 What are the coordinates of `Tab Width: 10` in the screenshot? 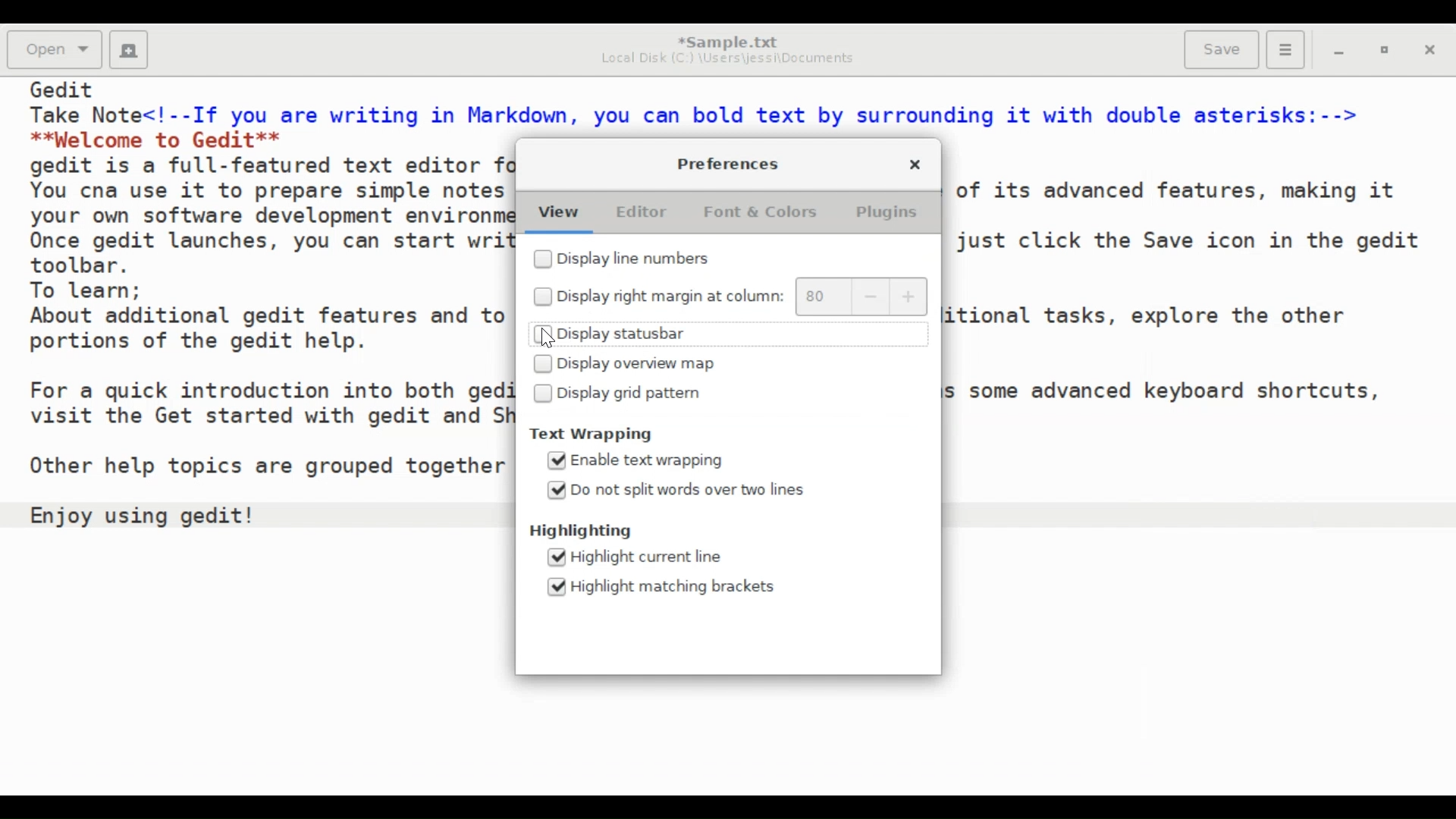 It's located at (1116, 780).